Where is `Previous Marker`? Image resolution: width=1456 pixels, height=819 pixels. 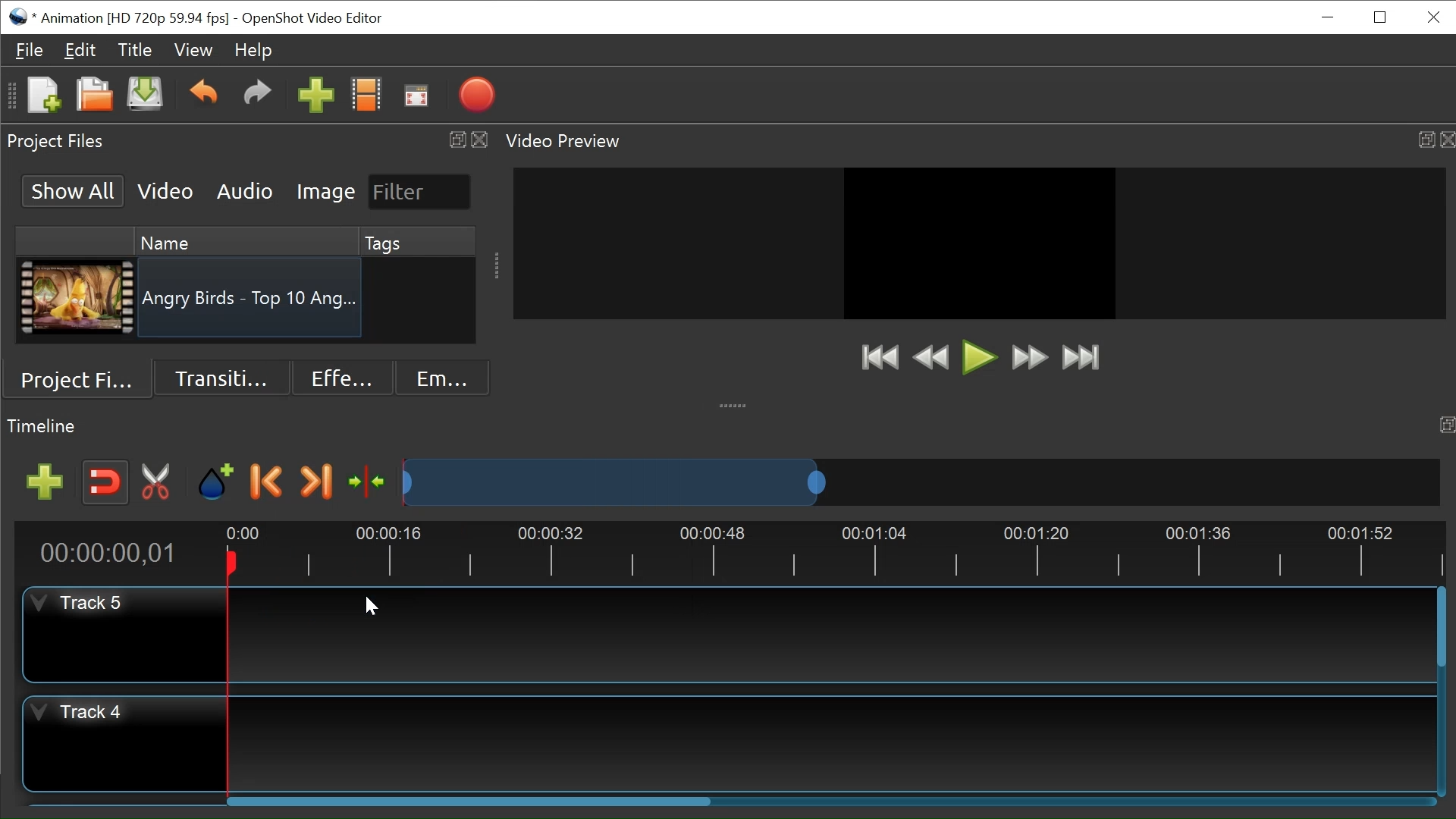
Previous Marker is located at coordinates (267, 480).